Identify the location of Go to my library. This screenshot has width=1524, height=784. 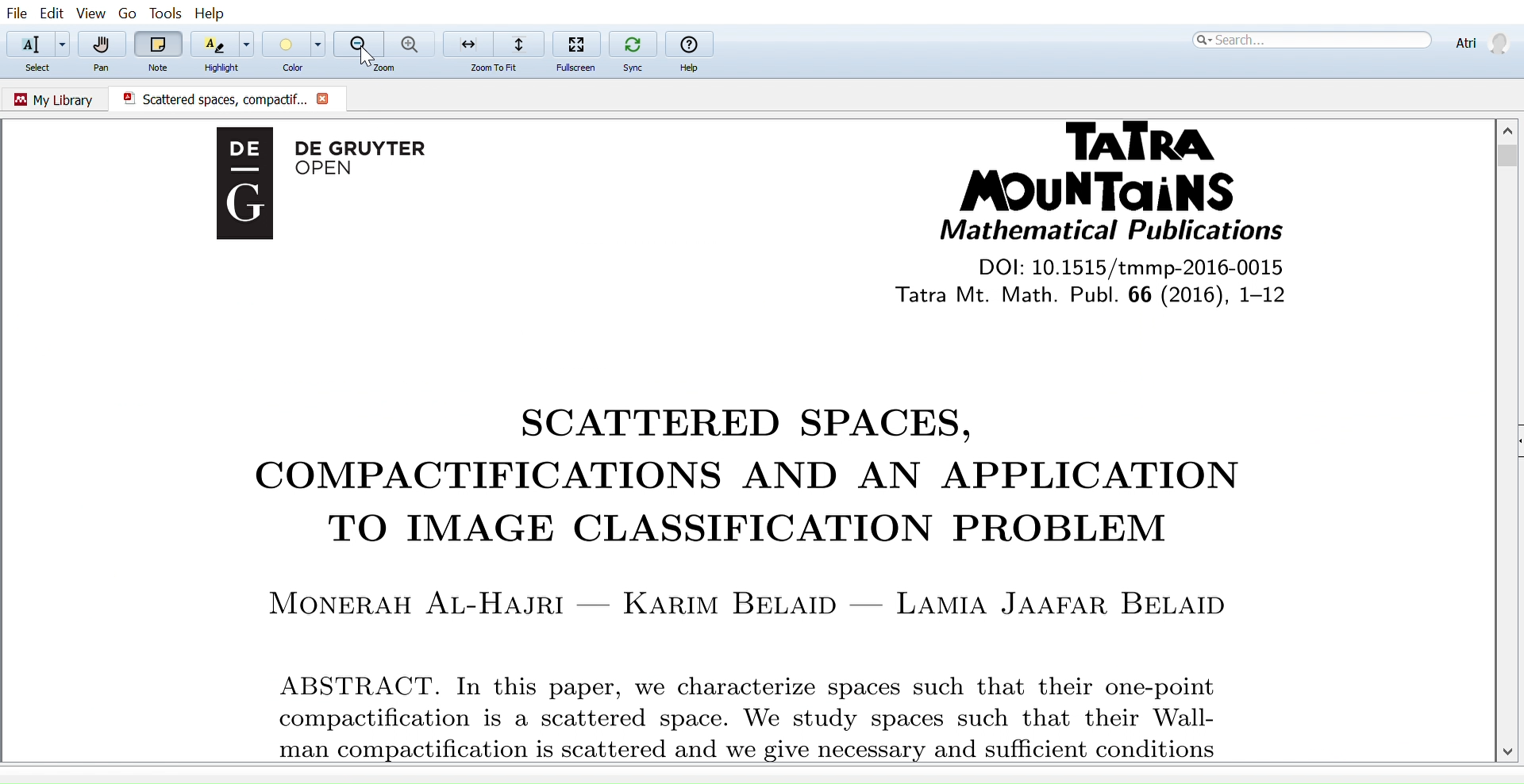
(56, 98).